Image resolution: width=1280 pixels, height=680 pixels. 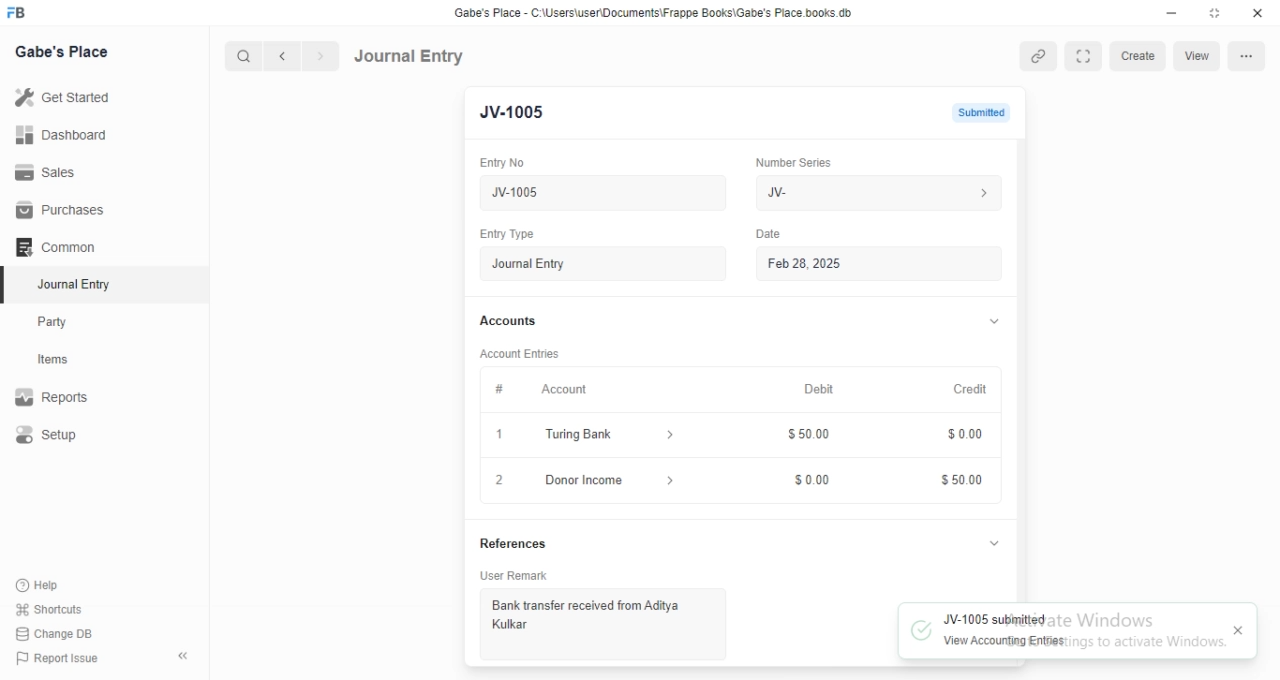 I want to click on ‘Account Entries., so click(x=528, y=352).